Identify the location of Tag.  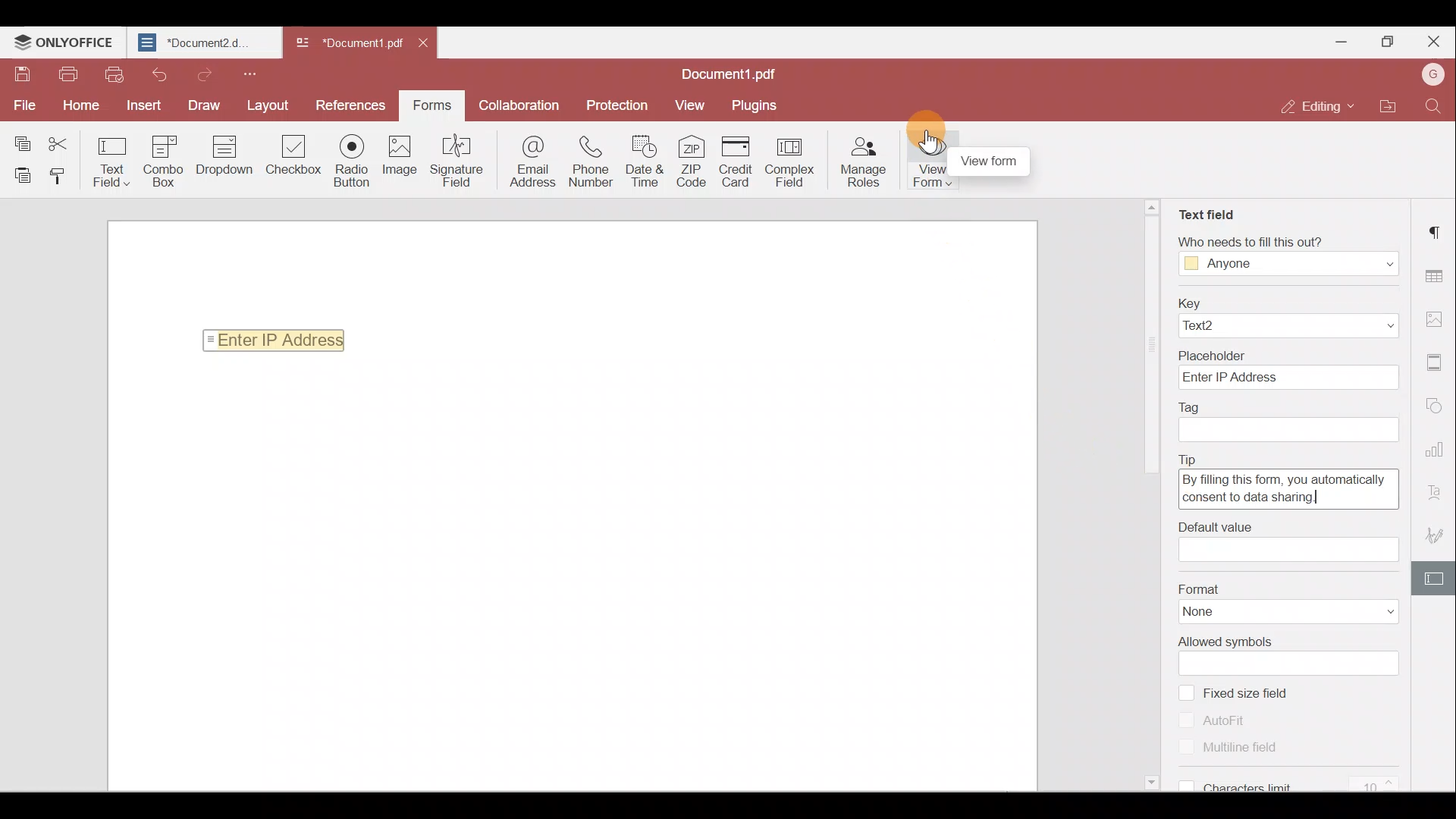
(1191, 405).